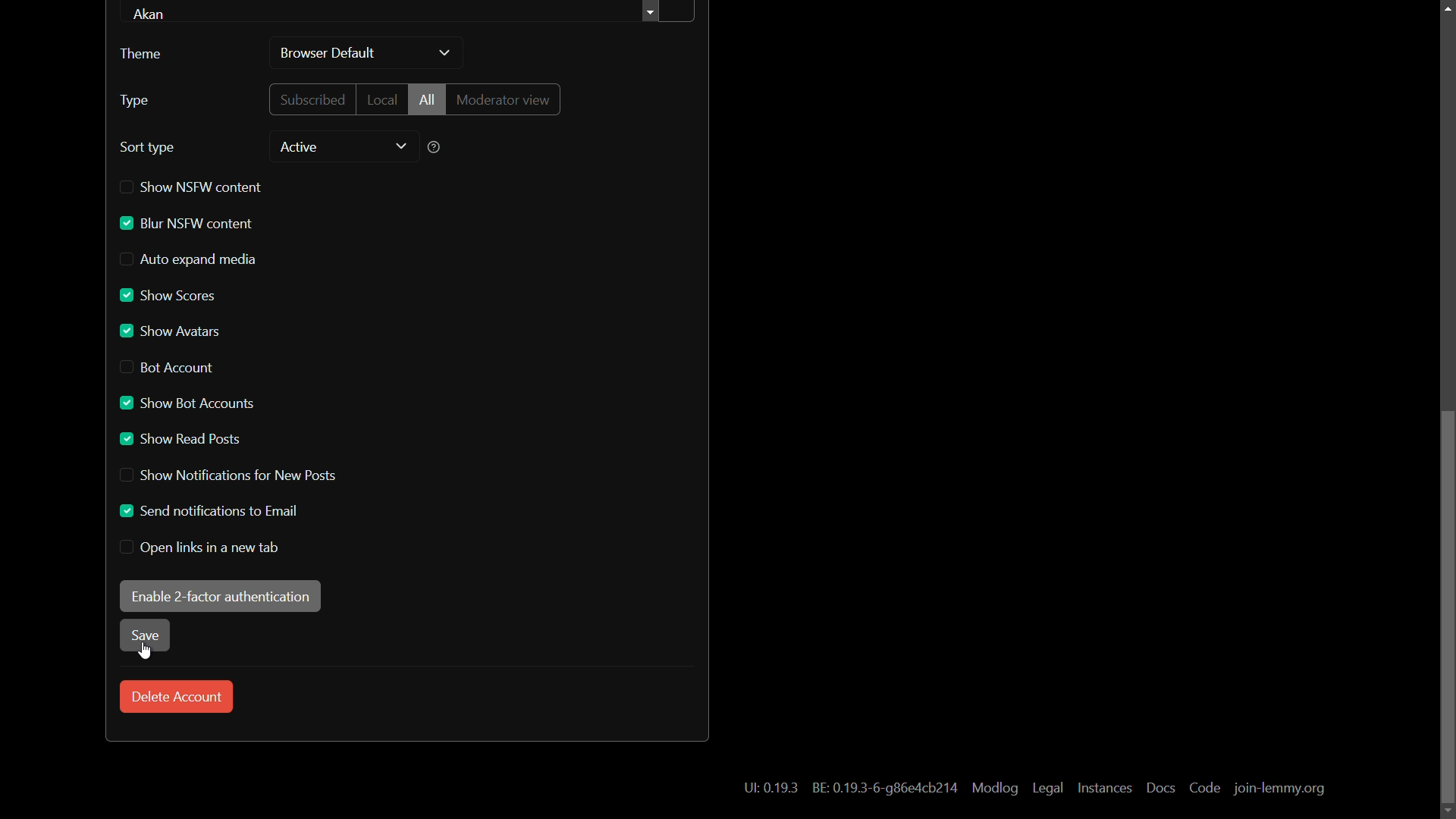  I want to click on sort type, so click(149, 148).